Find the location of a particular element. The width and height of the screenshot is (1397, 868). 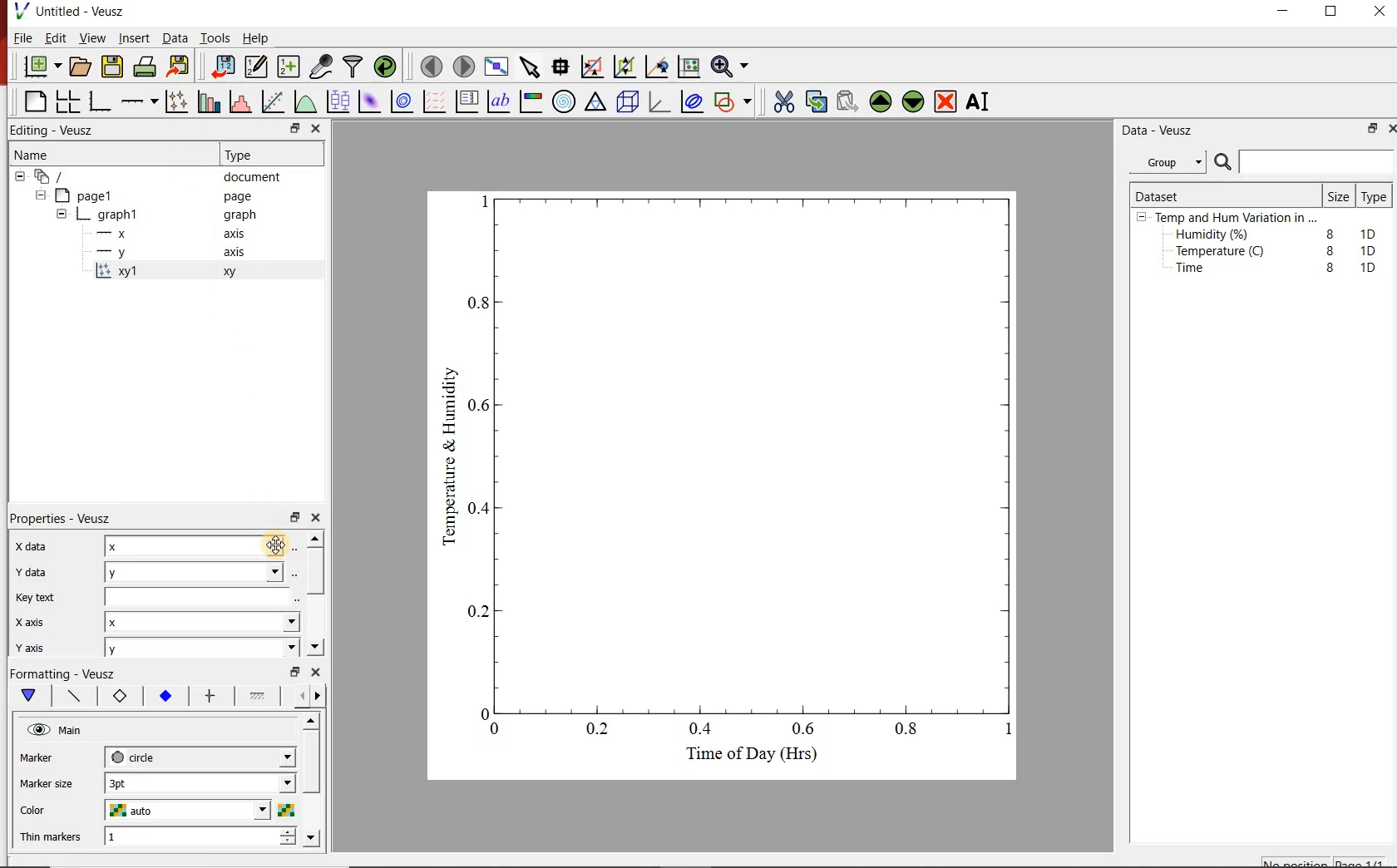

import data into Veusz is located at coordinates (222, 65).